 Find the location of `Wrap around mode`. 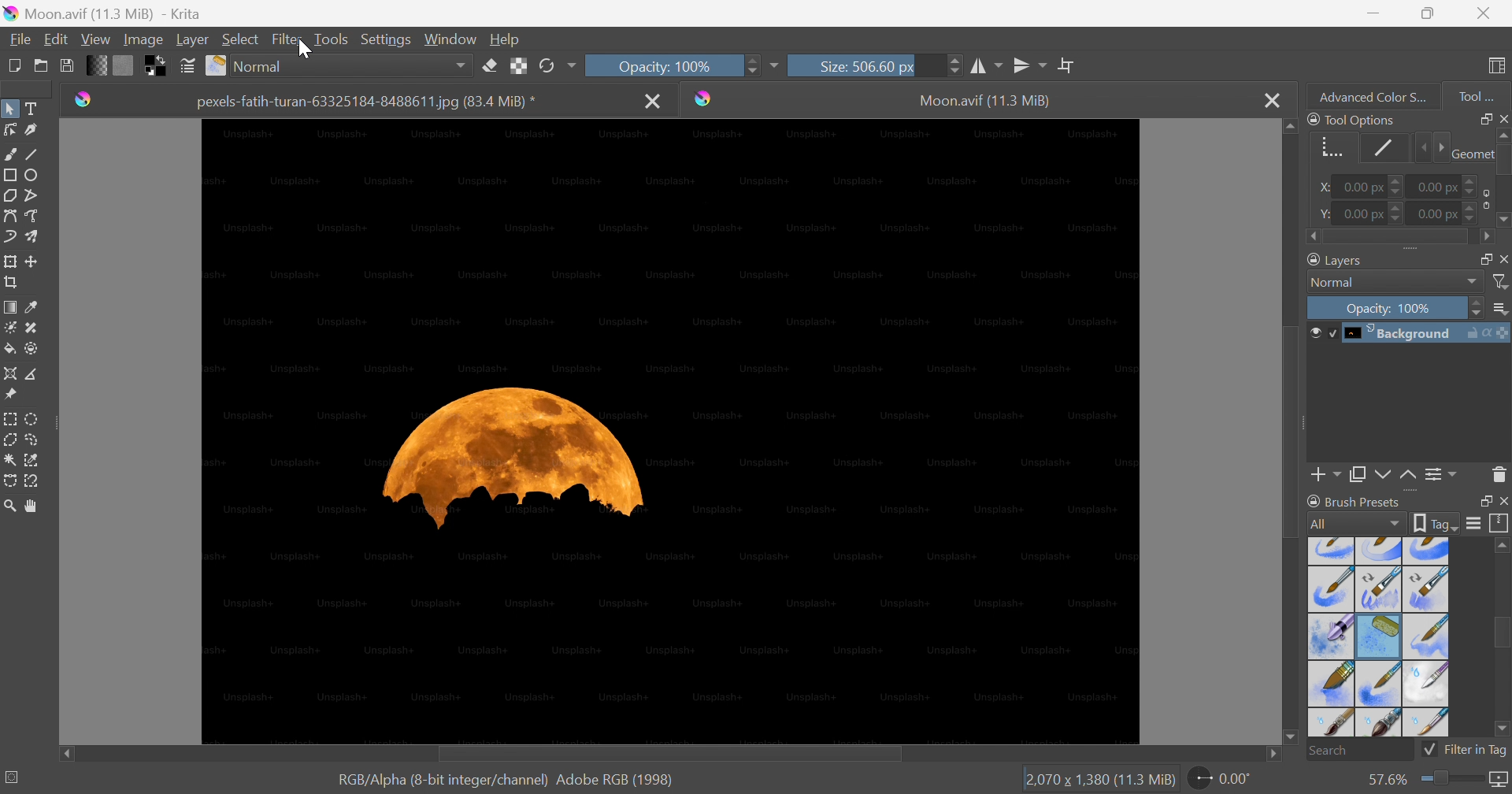

Wrap around mode is located at coordinates (1065, 64).